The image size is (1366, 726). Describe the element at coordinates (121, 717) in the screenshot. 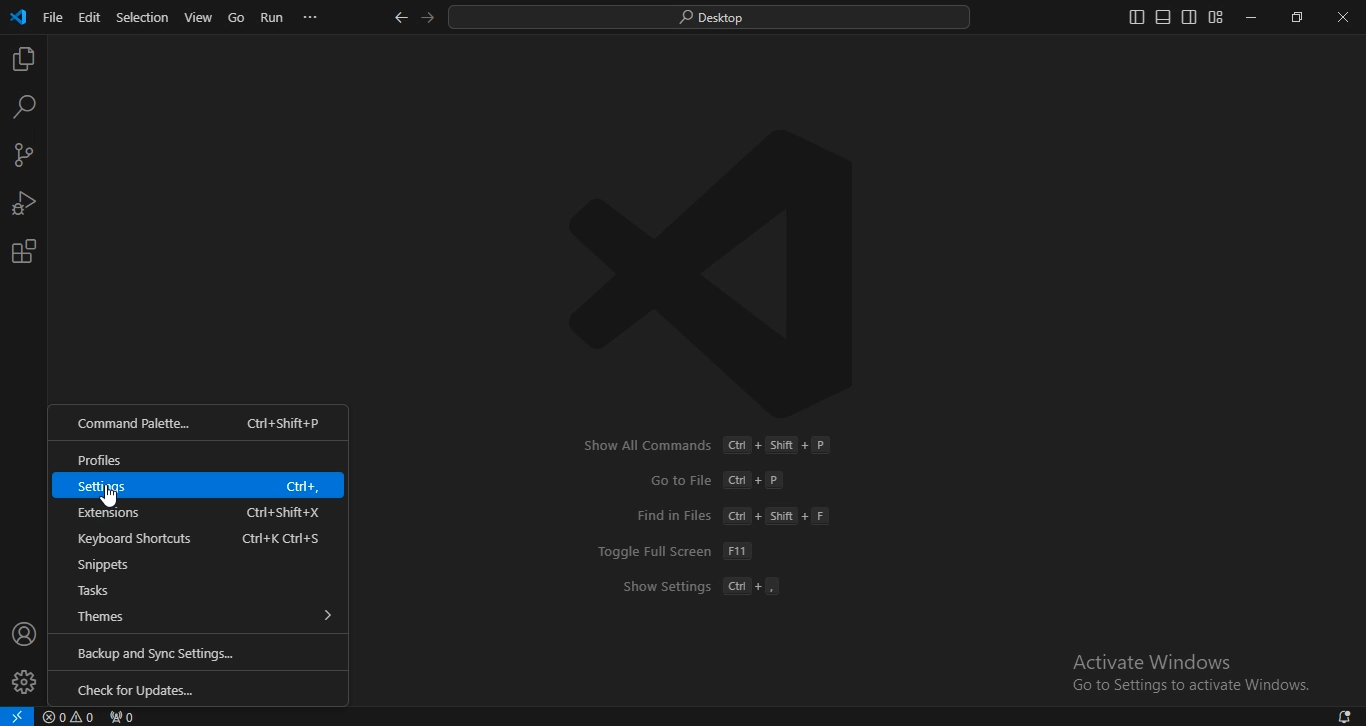

I see `no ports forwarded` at that location.